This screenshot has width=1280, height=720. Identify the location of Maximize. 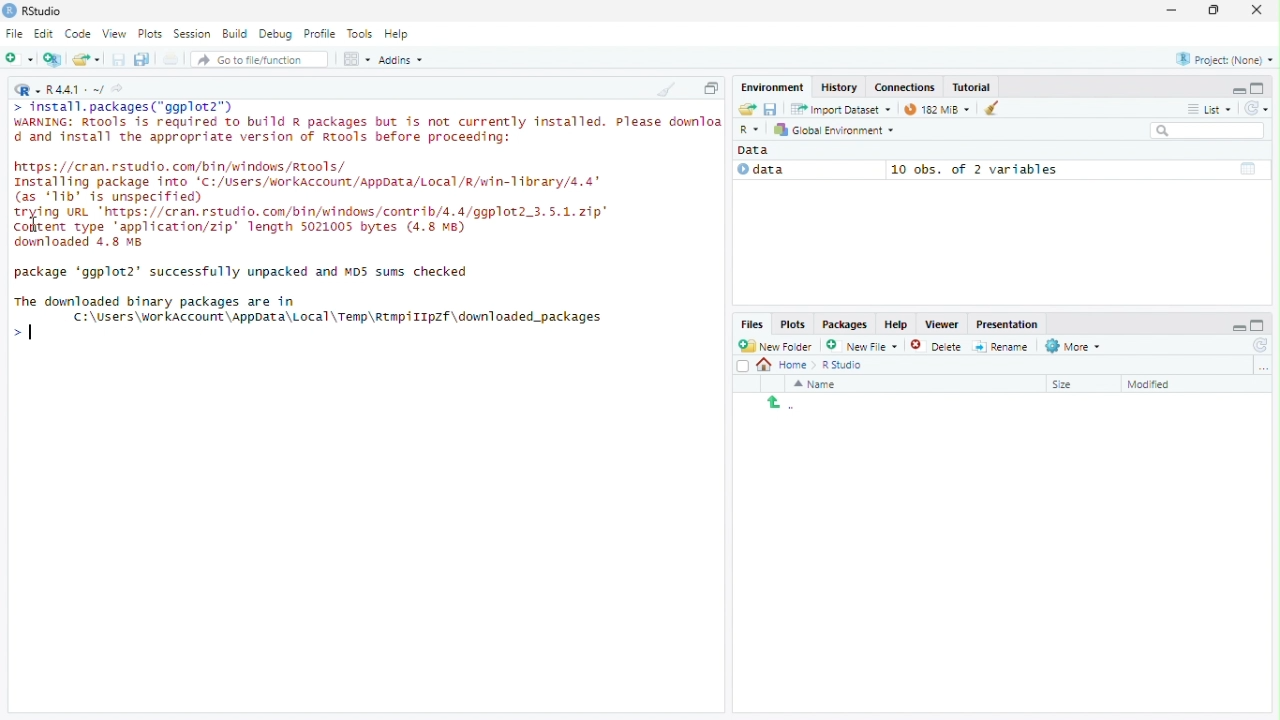
(711, 88).